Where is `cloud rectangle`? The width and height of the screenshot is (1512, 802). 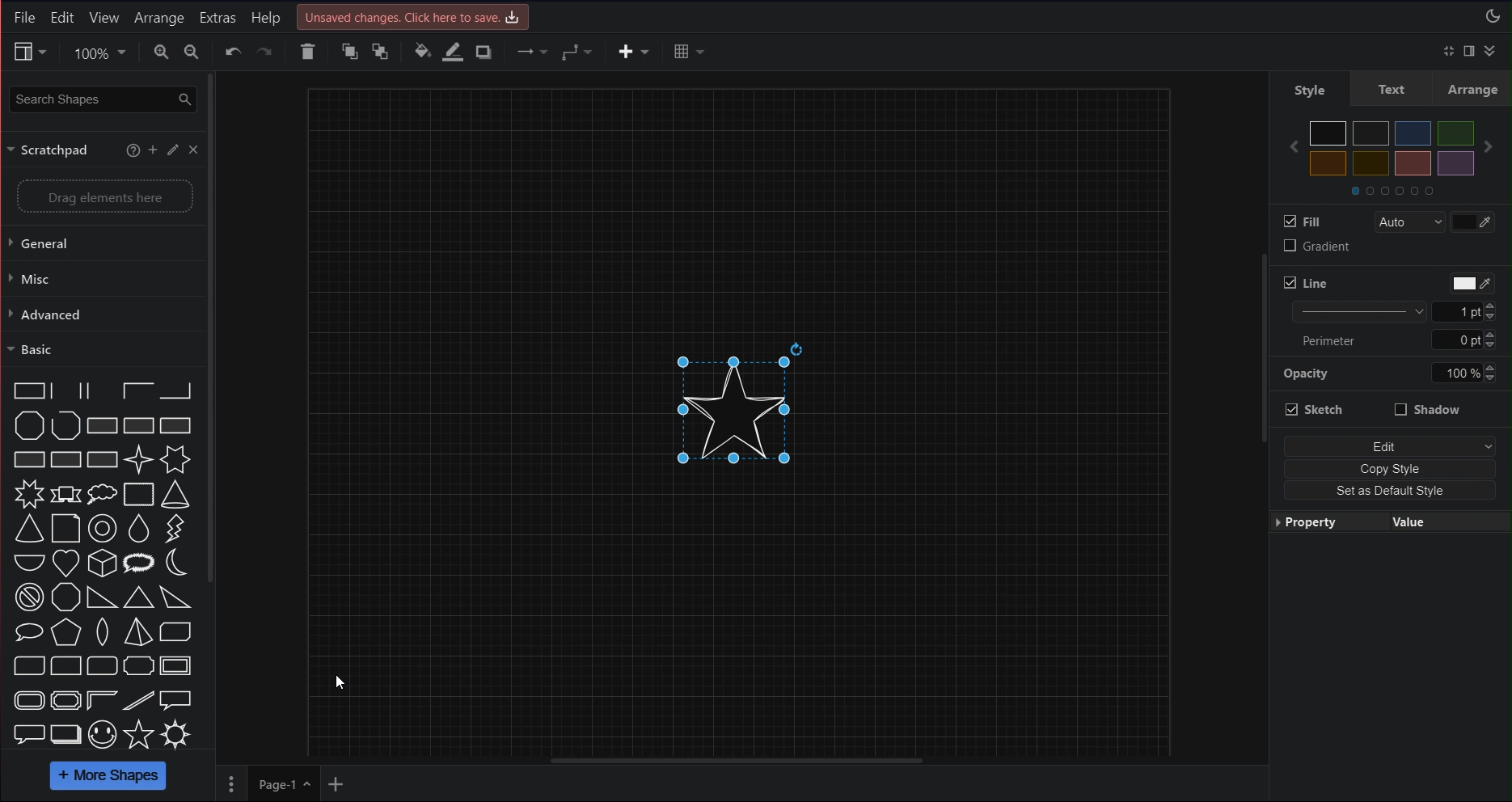 cloud rectangle is located at coordinates (139, 494).